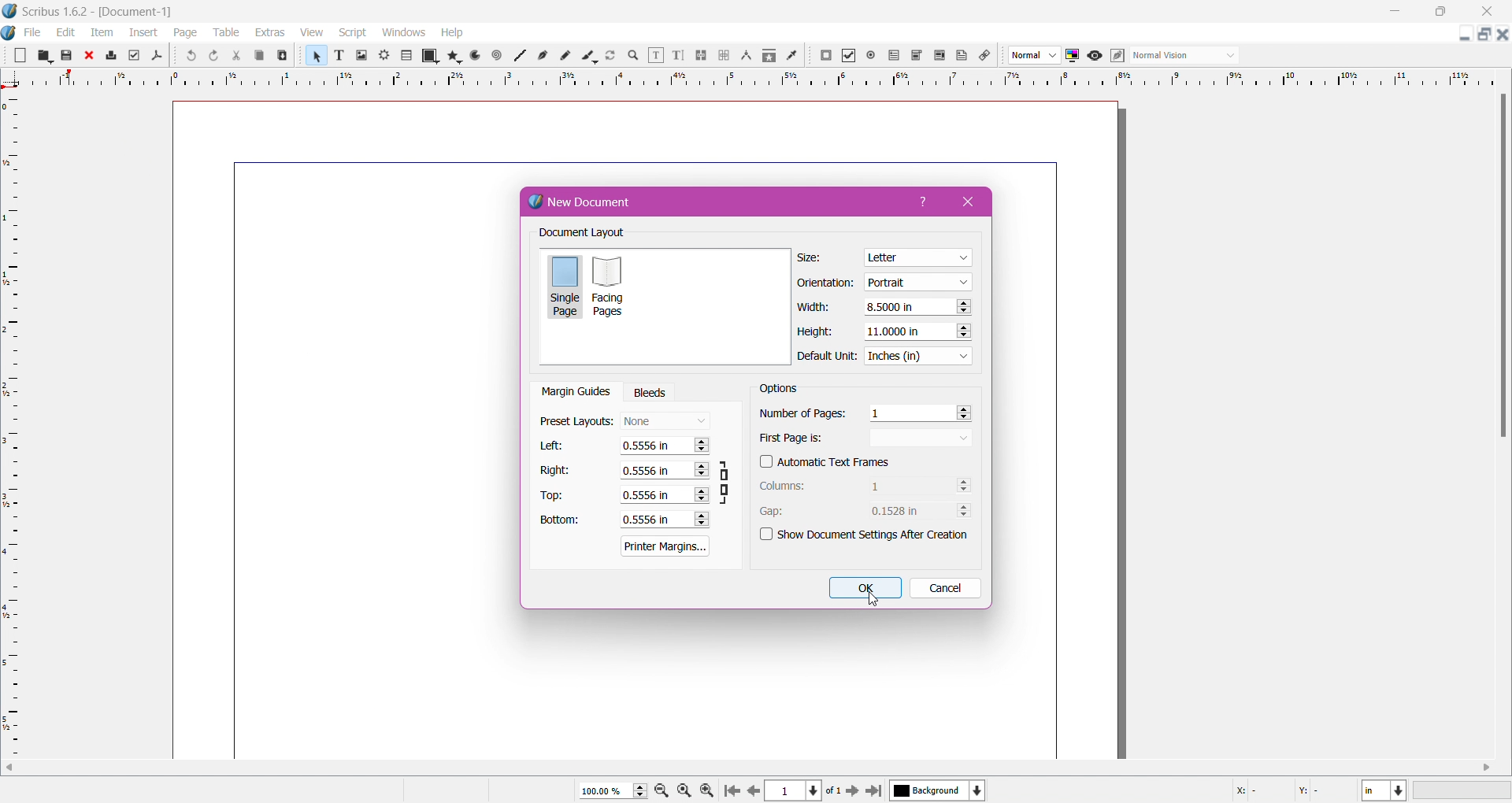  I want to click on  None, so click(667, 422).